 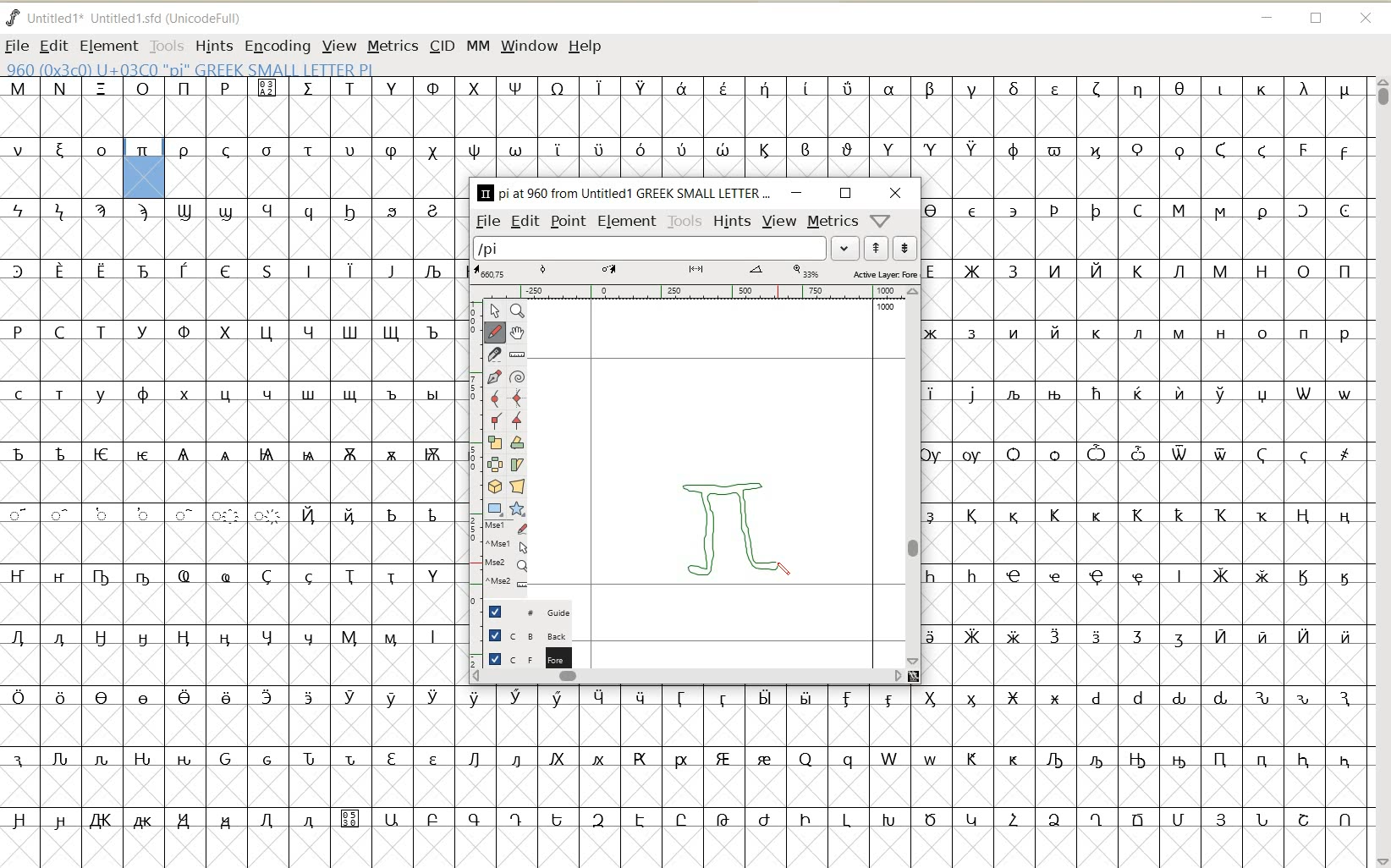 I want to click on HELP, so click(x=587, y=45).